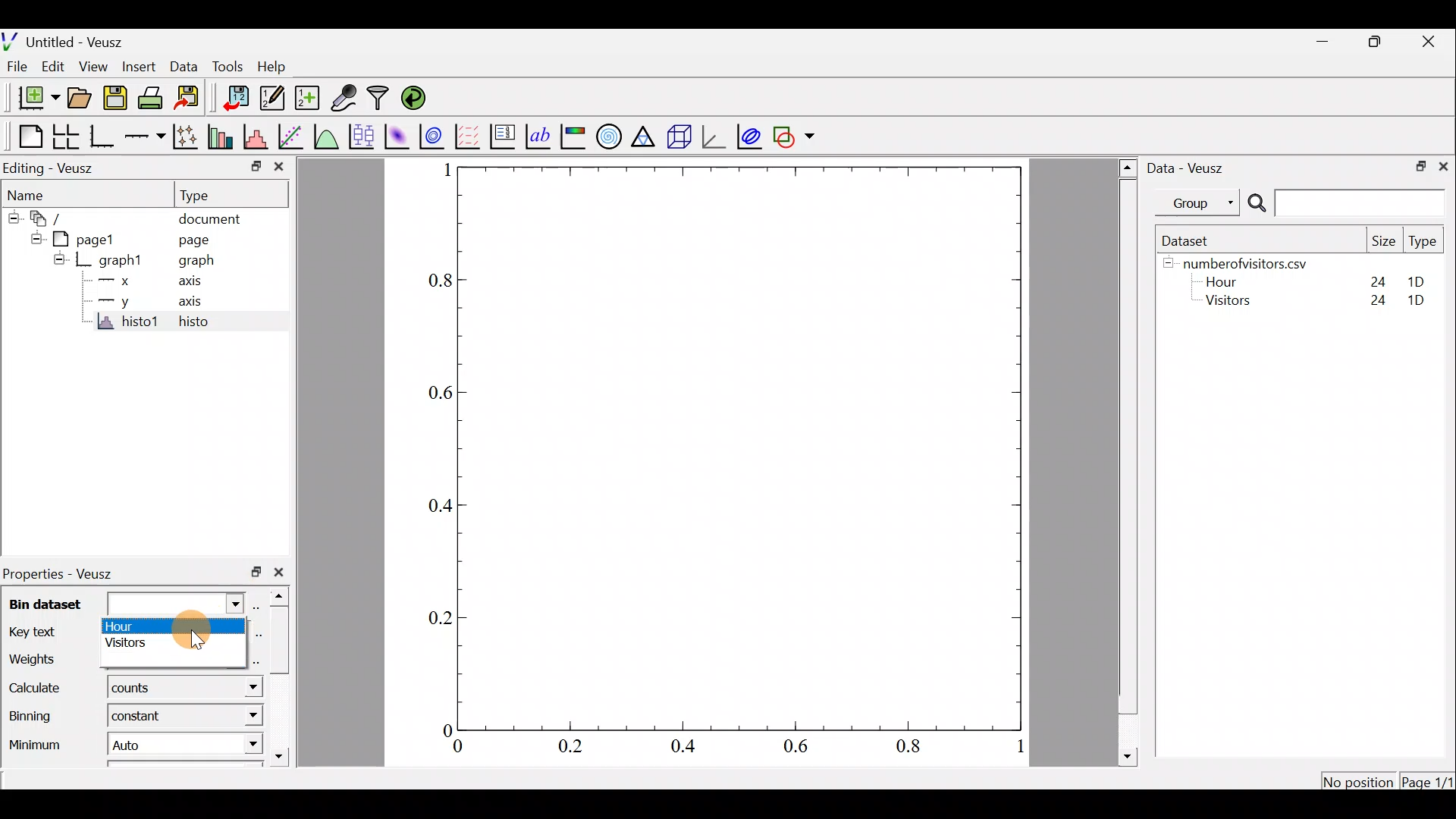  I want to click on x, so click(124, 280).